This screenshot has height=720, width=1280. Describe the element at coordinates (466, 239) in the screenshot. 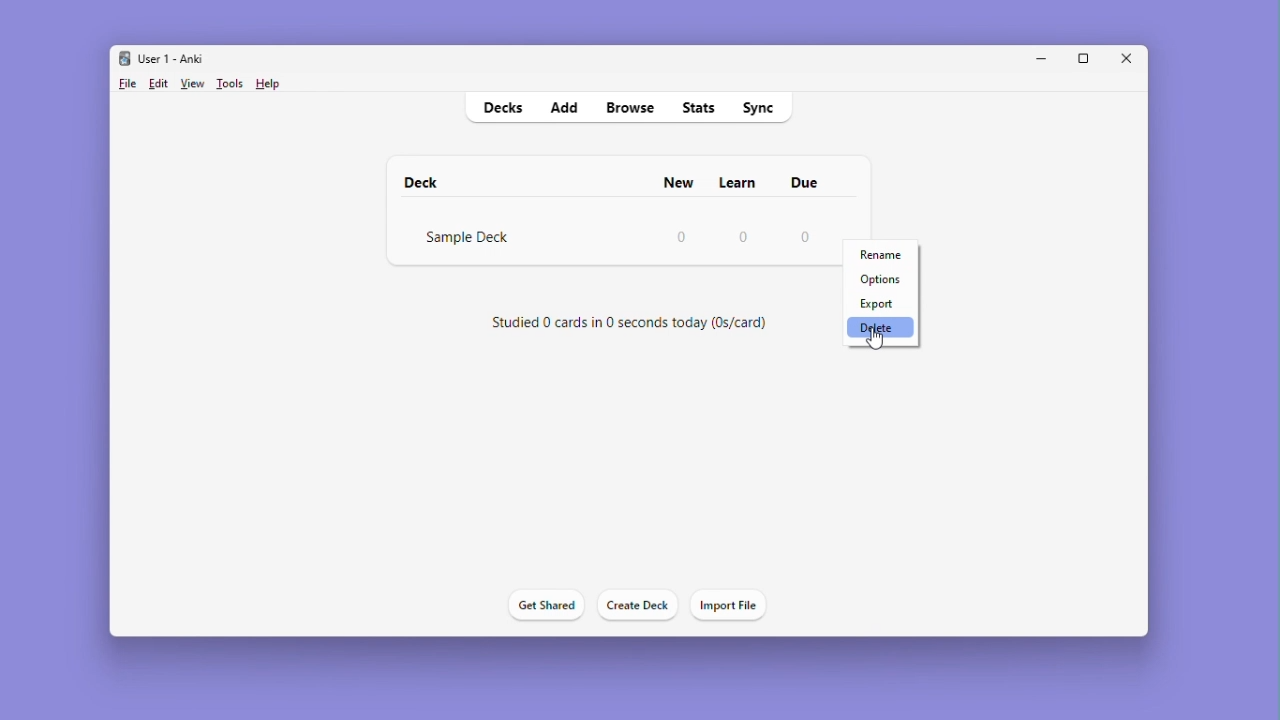

I see `Sample Deck` at that location.